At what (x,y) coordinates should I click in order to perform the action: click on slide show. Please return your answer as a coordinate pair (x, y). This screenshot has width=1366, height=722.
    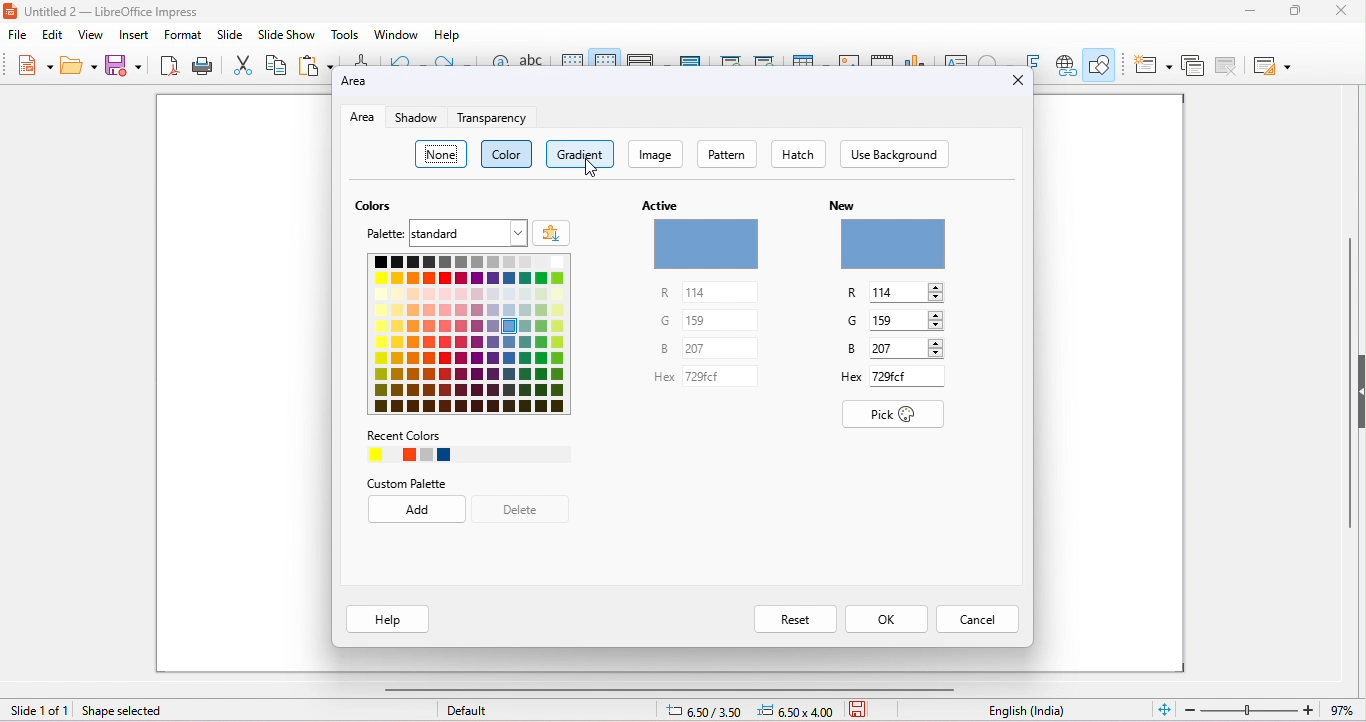
    Looking at the image, I should click on (285, 34).